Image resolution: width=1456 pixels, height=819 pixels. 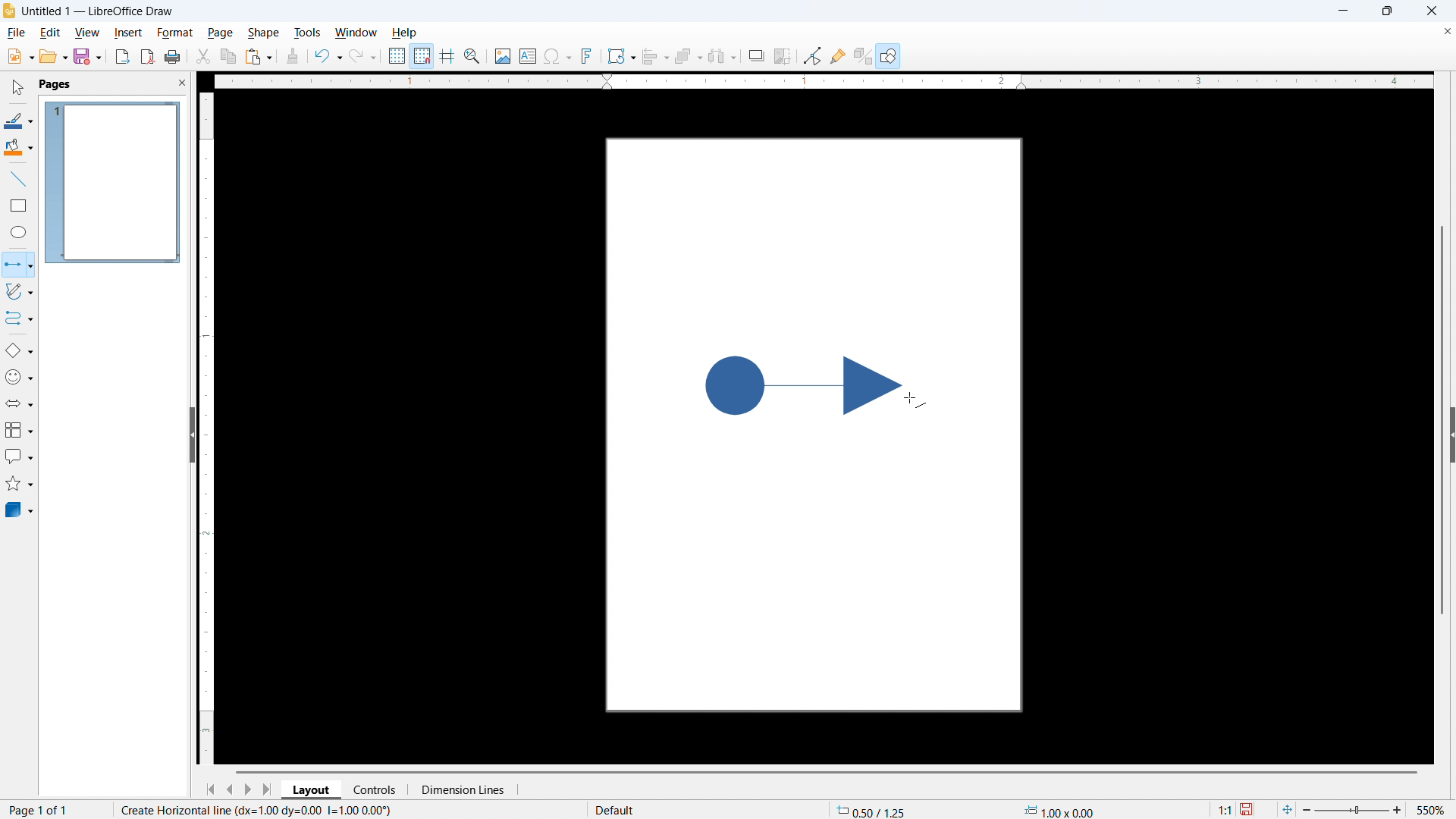 What do you see at coordinates (19, 231) in the screenshot?
I see `Ellipse ` at bounding box center [19, 231].